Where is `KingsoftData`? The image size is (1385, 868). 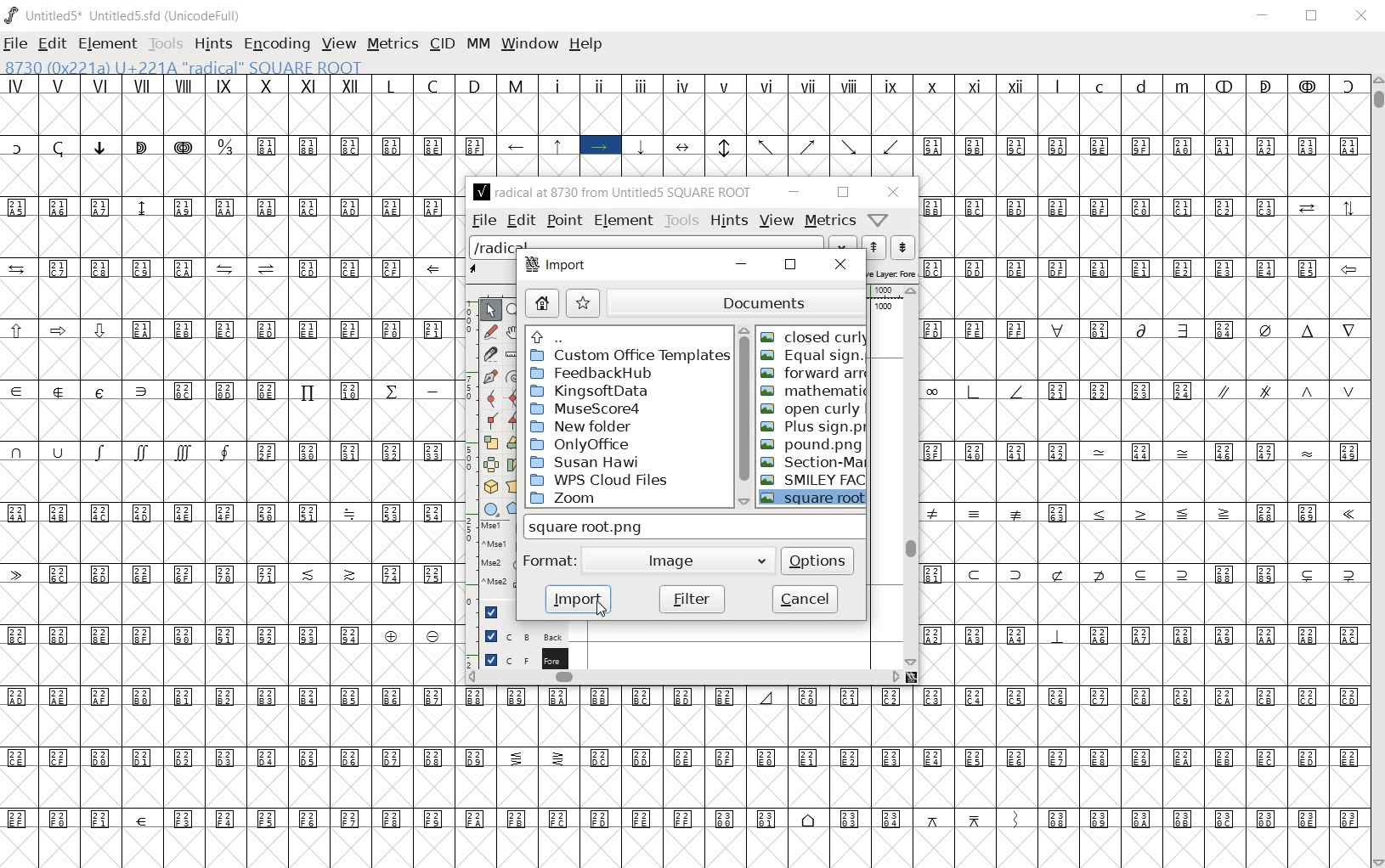
KingsoftData is located at coordinates (590, 392).